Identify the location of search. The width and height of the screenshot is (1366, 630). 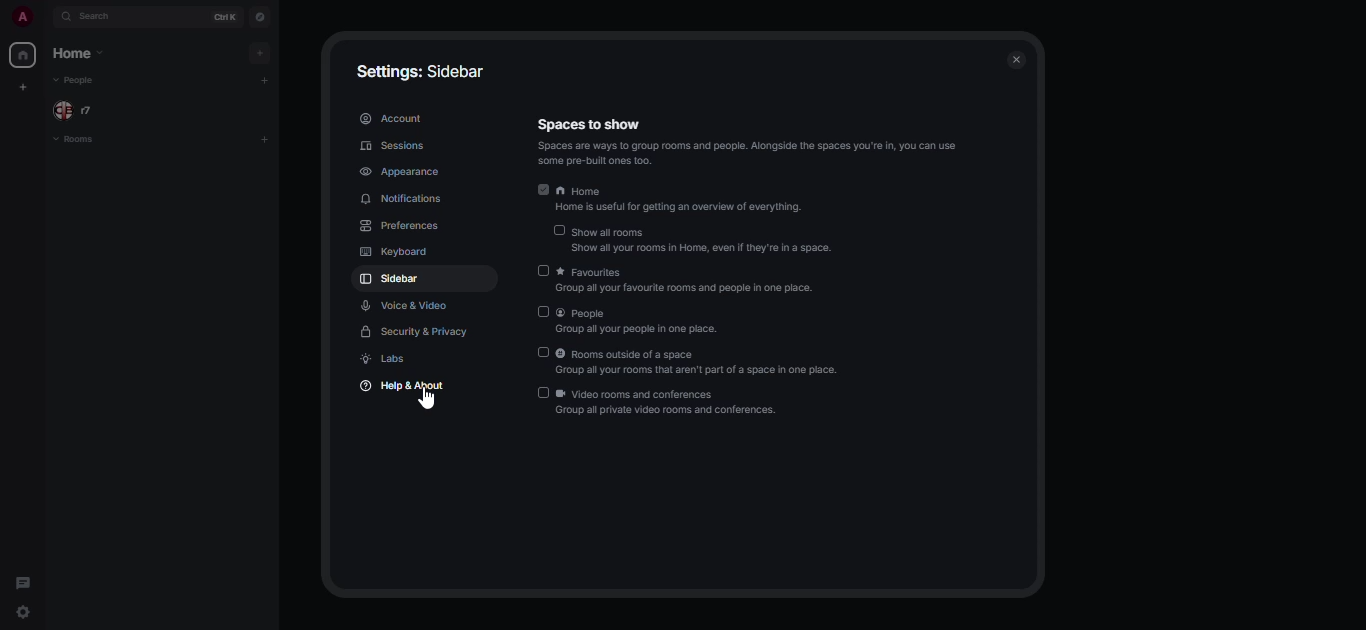
(95, 16).